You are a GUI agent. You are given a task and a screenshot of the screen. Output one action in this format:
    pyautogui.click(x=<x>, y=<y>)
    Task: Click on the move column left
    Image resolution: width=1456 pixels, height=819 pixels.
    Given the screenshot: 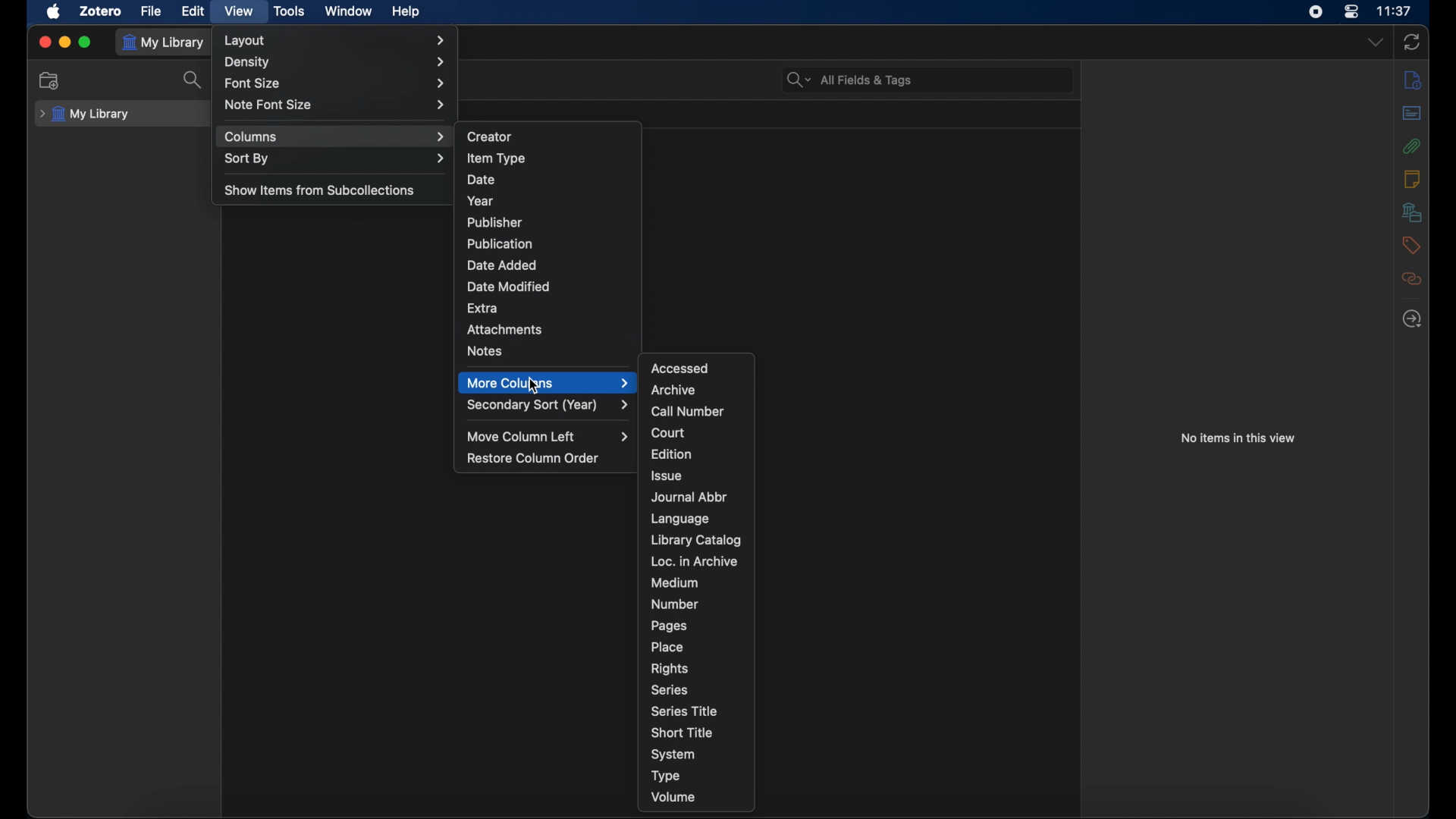 What is the action you would take?
    pyautogui.click(x=551, y=436)
    